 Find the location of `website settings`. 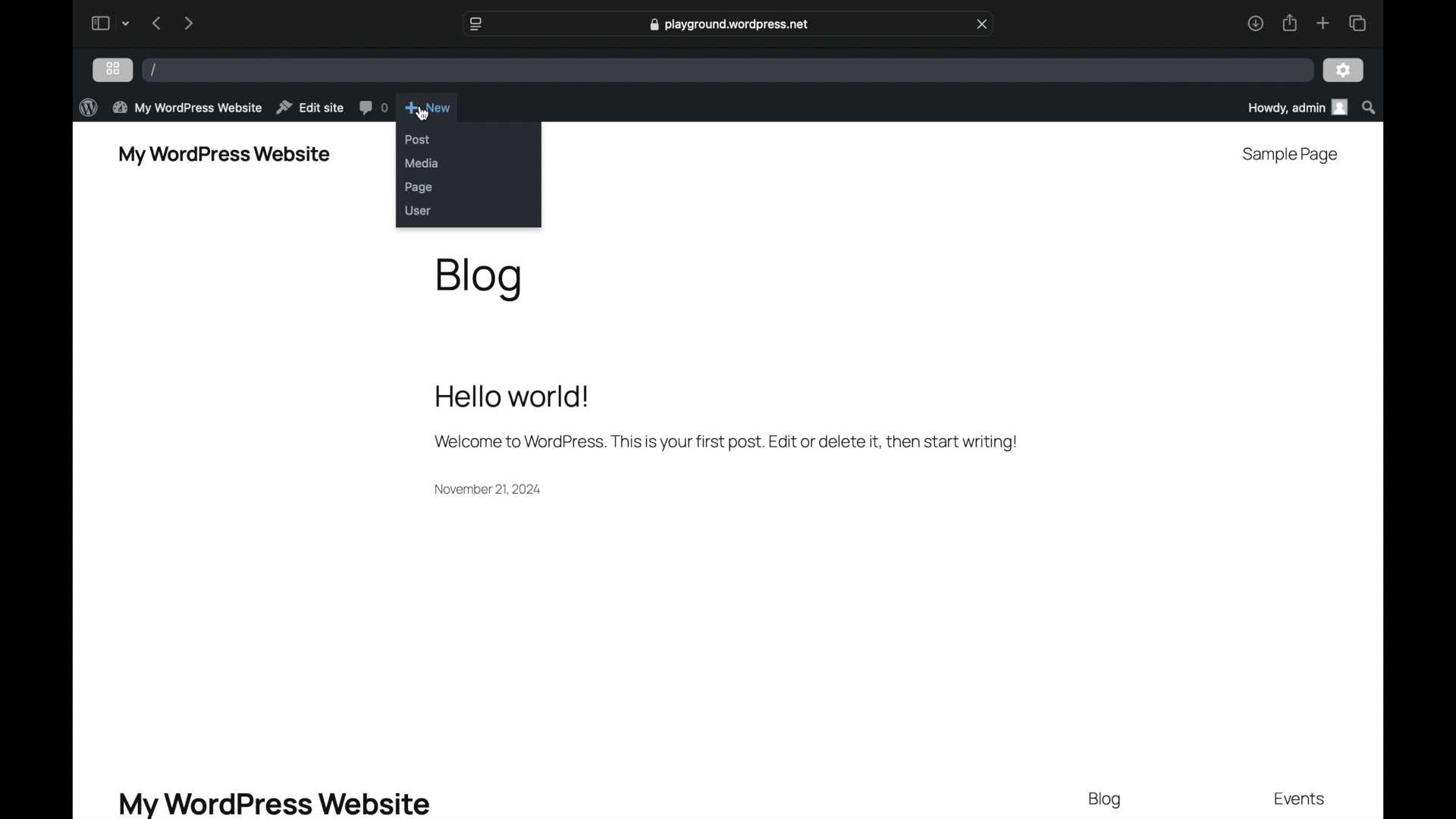

website settings is located at coordinates (475, 24).